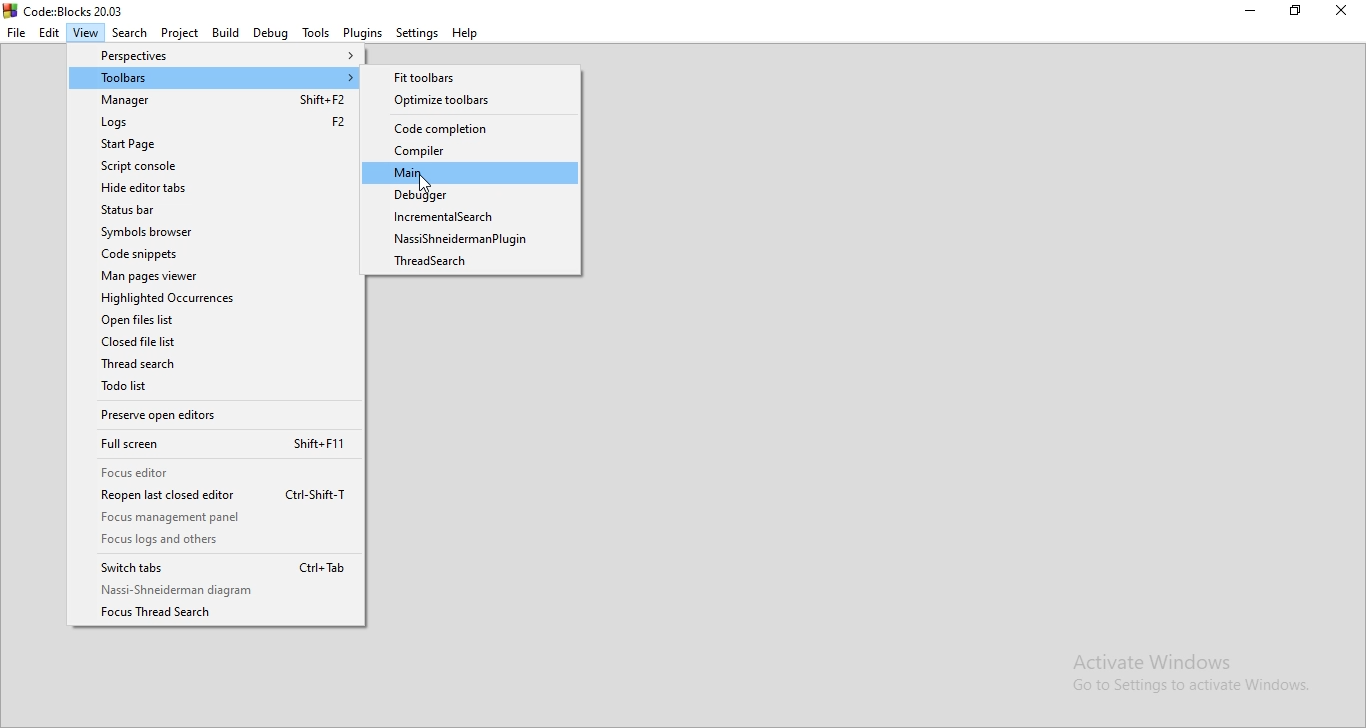 The height and width of the screenshot is (728, 1366). I want to click on Logs , so click(216, 124).